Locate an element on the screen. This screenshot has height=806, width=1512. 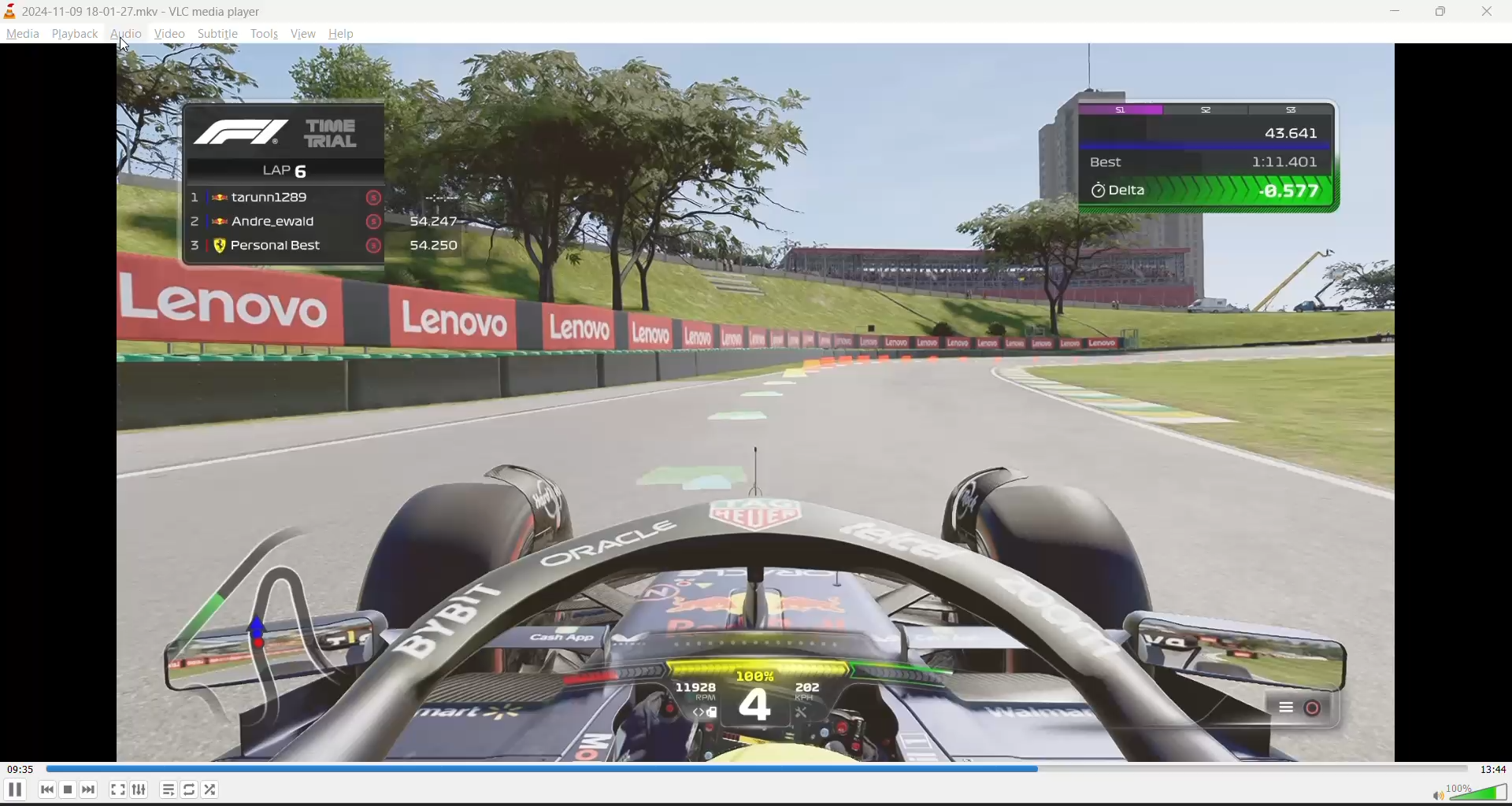
media is located at coordinates (22, 35).